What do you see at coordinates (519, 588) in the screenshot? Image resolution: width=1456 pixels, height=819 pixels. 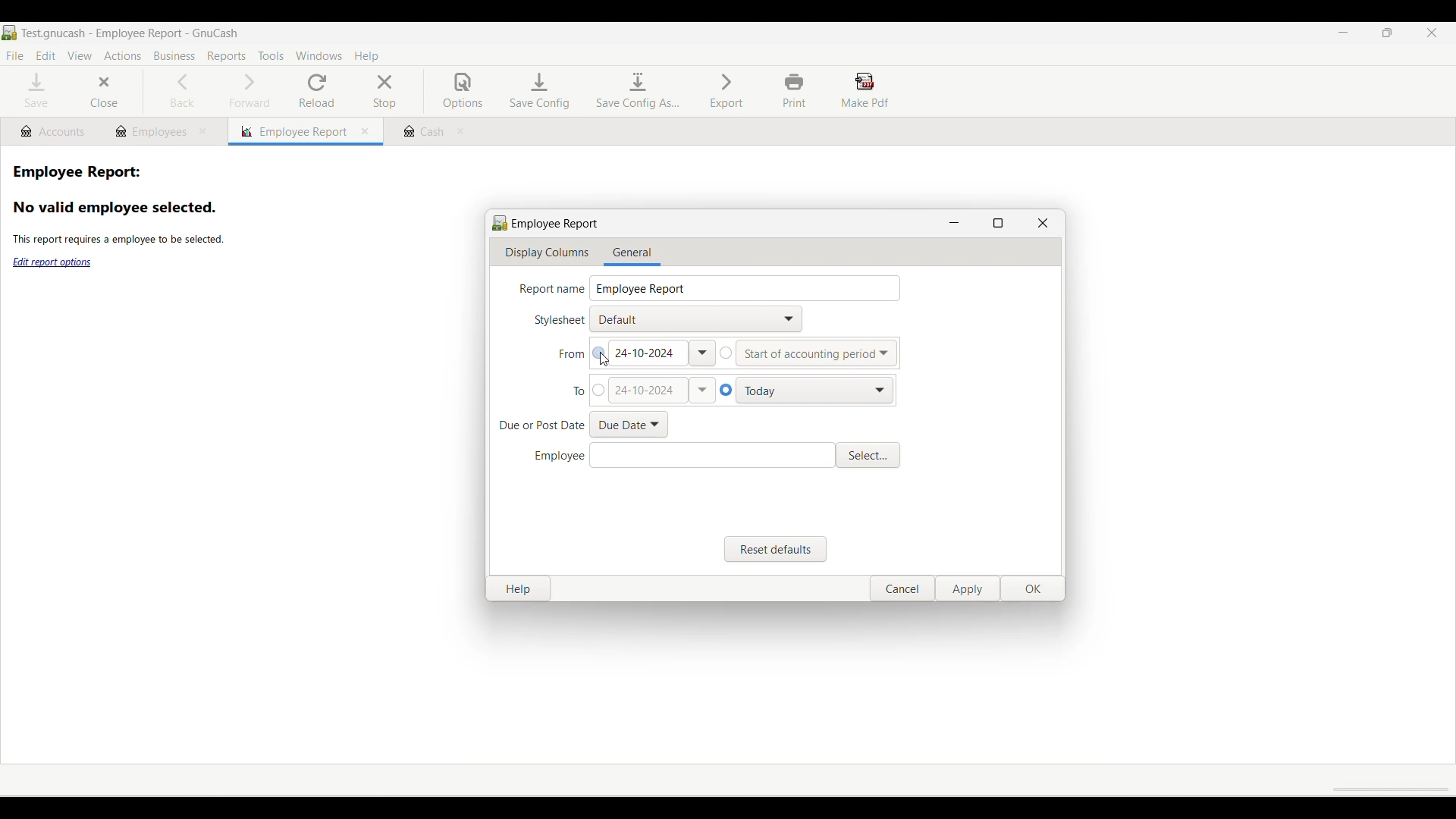 I see `Help` at bounding box center [519, 588].